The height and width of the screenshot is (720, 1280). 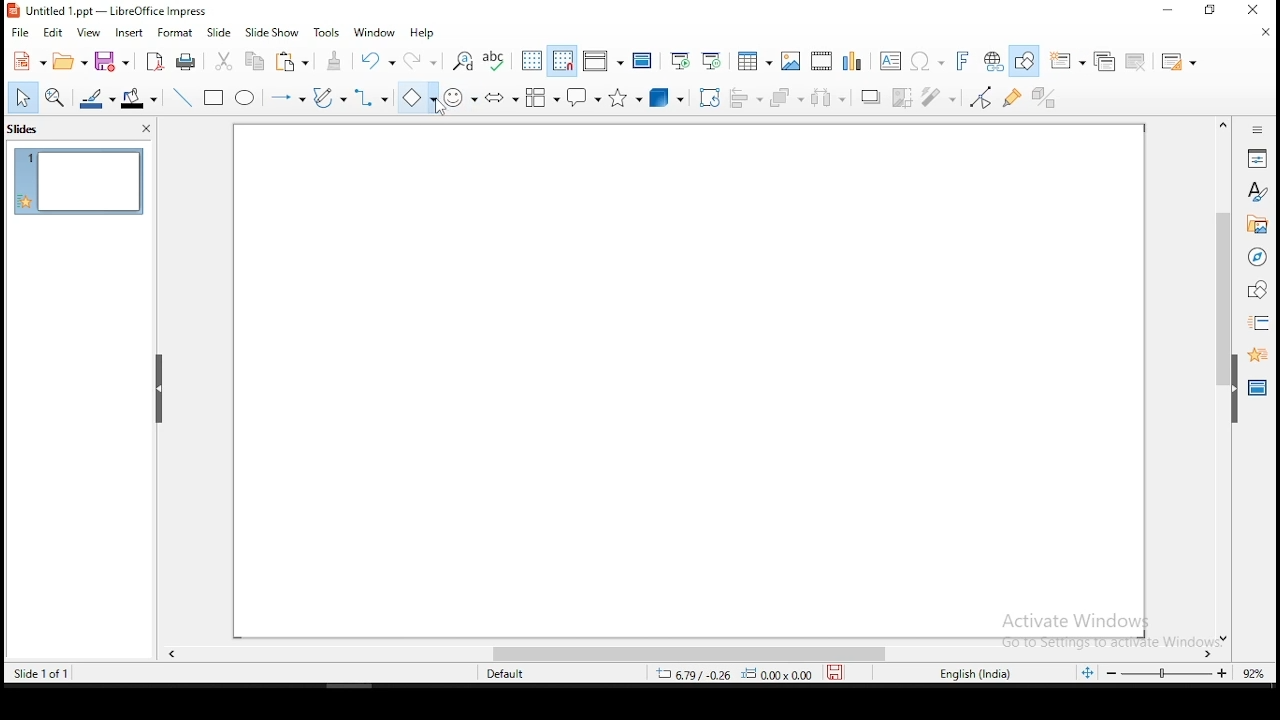 I want to click on navigator, so click(x=1259, y=260).